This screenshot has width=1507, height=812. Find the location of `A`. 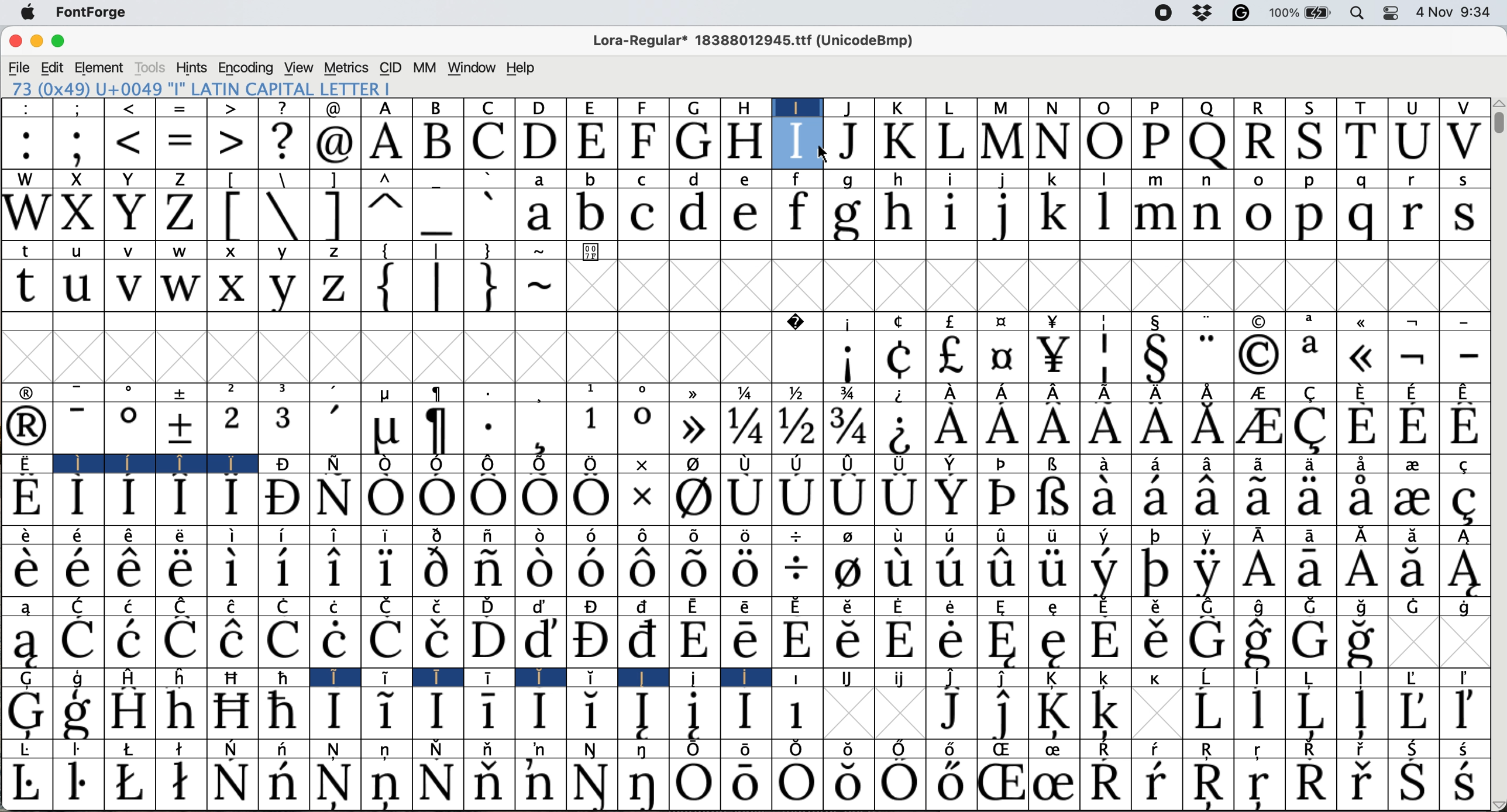

A is located at coordinates (386, 143).